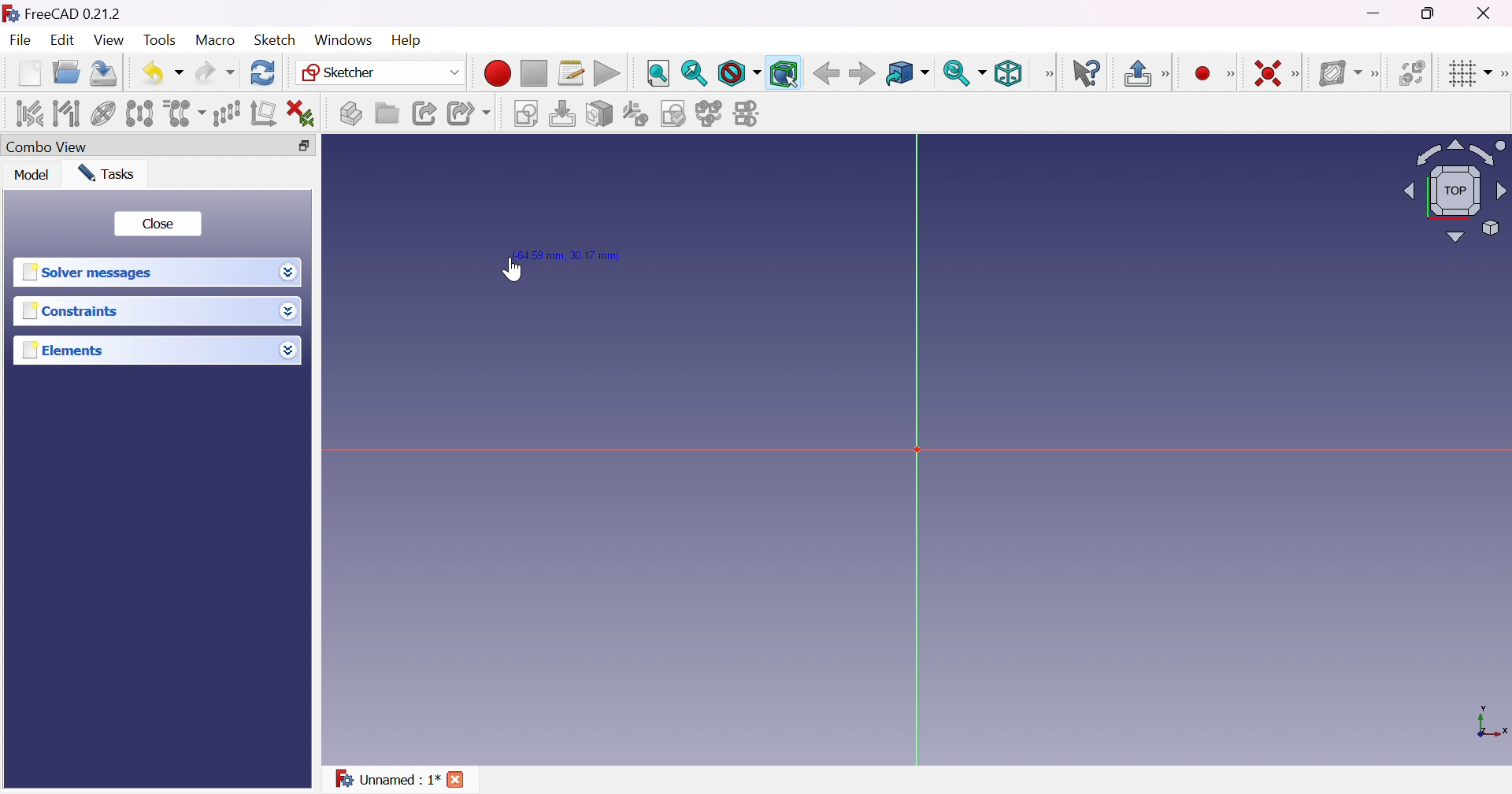 This screenshot has width=1512, height=794. I want to click on Unnamed : 1*, so click(386, 779).